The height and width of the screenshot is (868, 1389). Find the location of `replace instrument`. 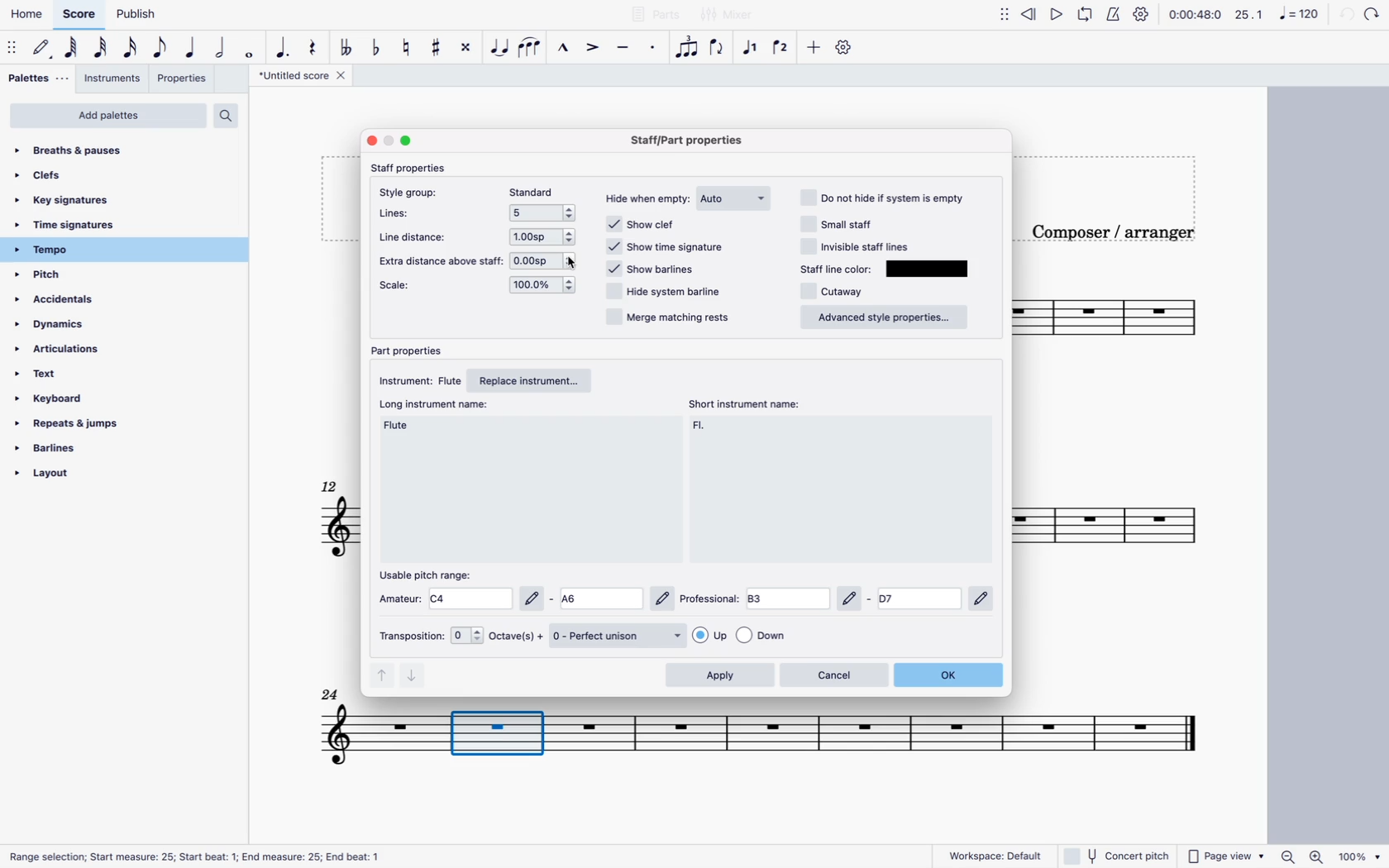

replace instrument is located at coordinates (537, 379).